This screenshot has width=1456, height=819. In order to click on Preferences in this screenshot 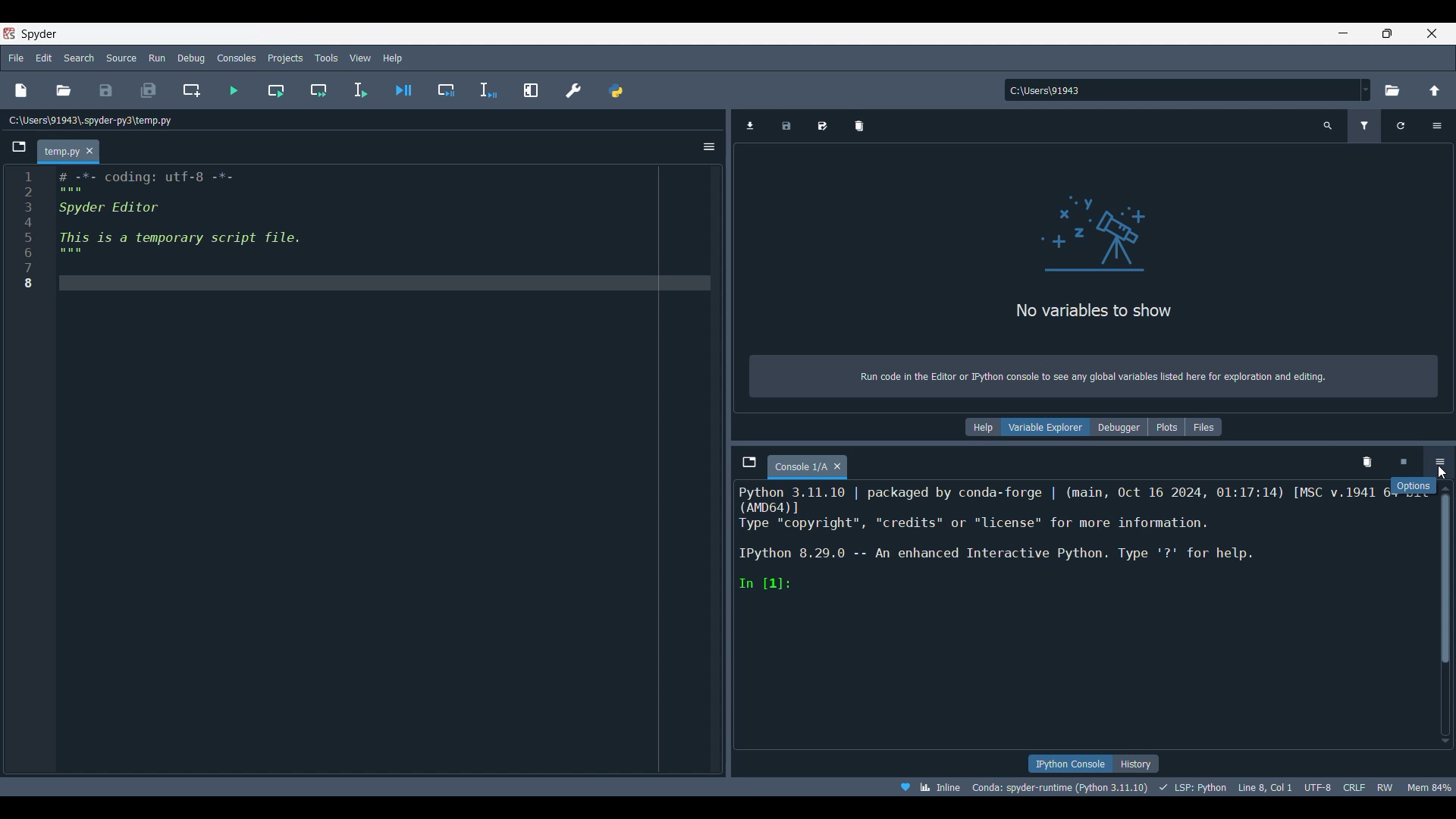, I will do `click(574, 89)`.